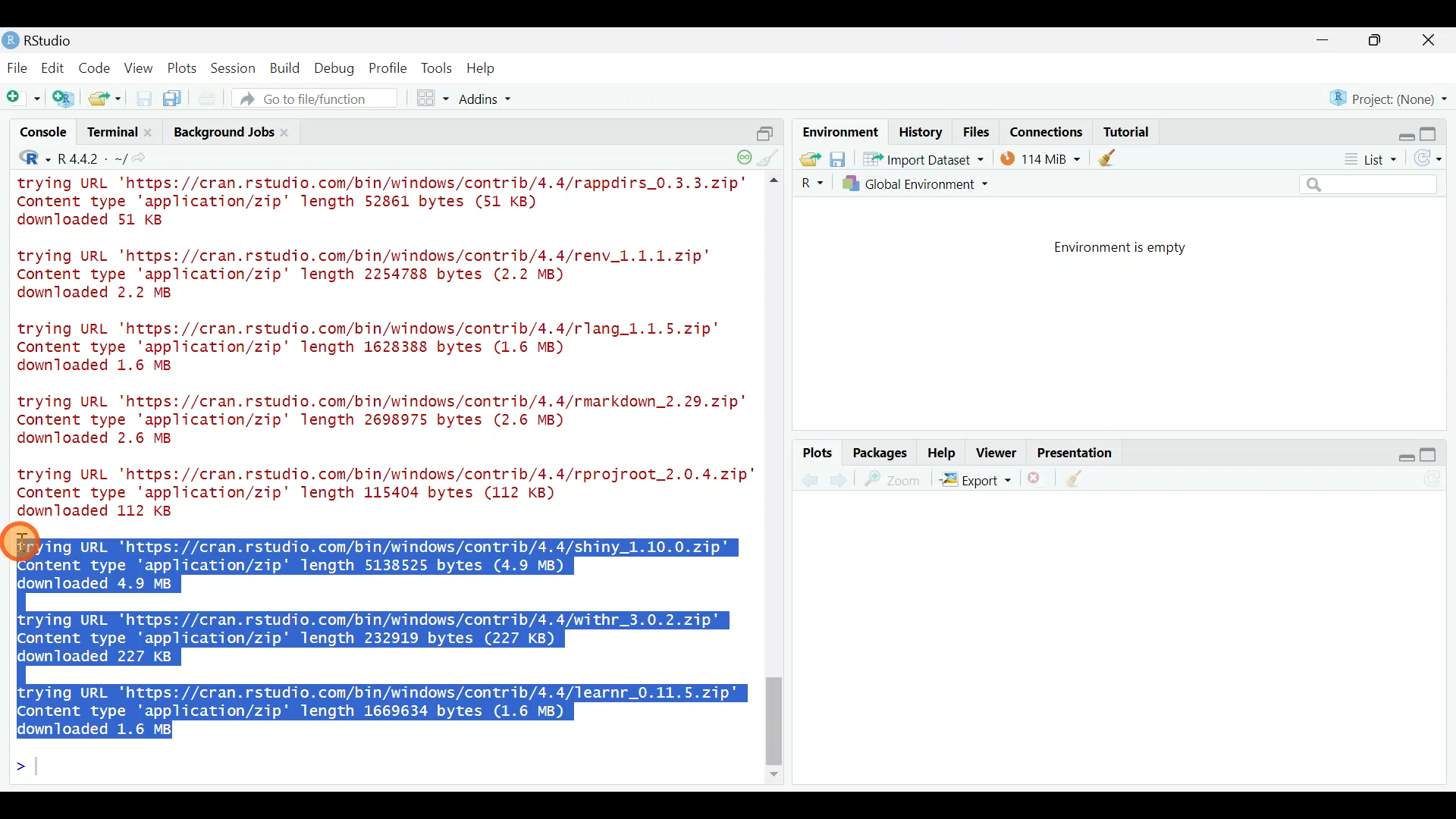 This screenshot has height=819, width=1456. Describe the element at coordinates (1436, 130) in the screenshot. I see `Maximize` at that location.